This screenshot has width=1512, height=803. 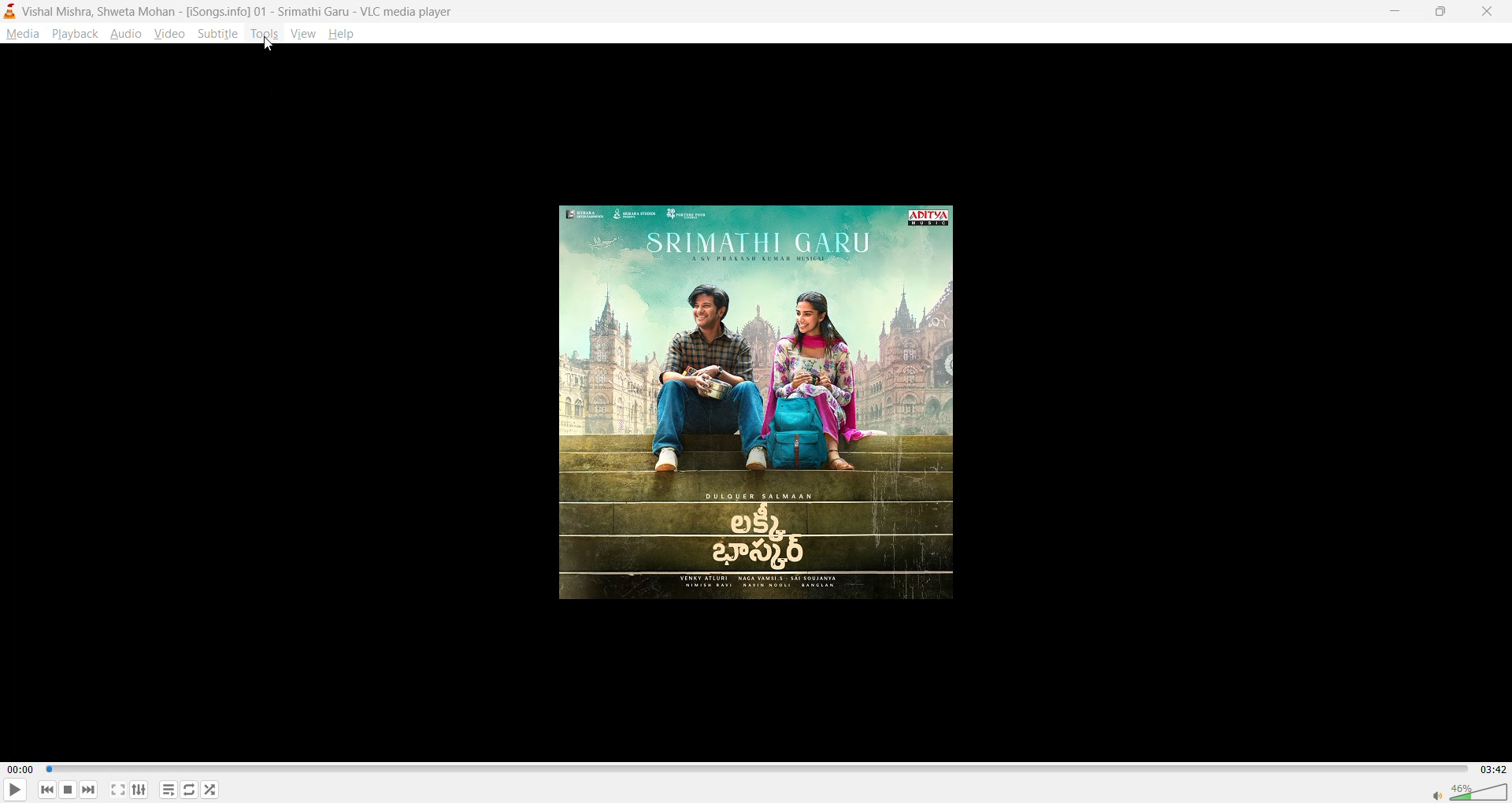 I want to click on previous, so click(x=48, y=789).